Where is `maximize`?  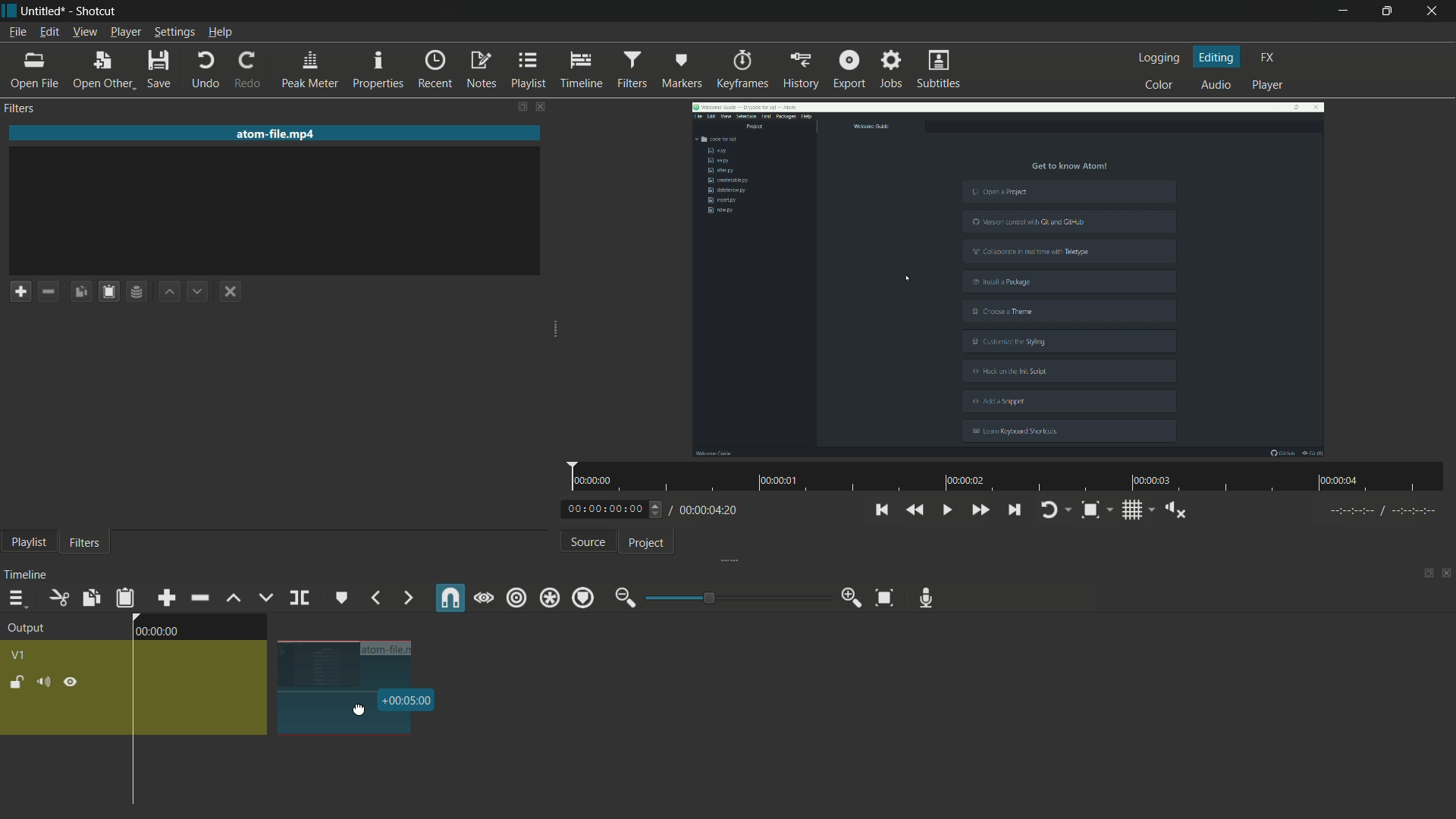
maximize is located at coordinates (1389, 11).